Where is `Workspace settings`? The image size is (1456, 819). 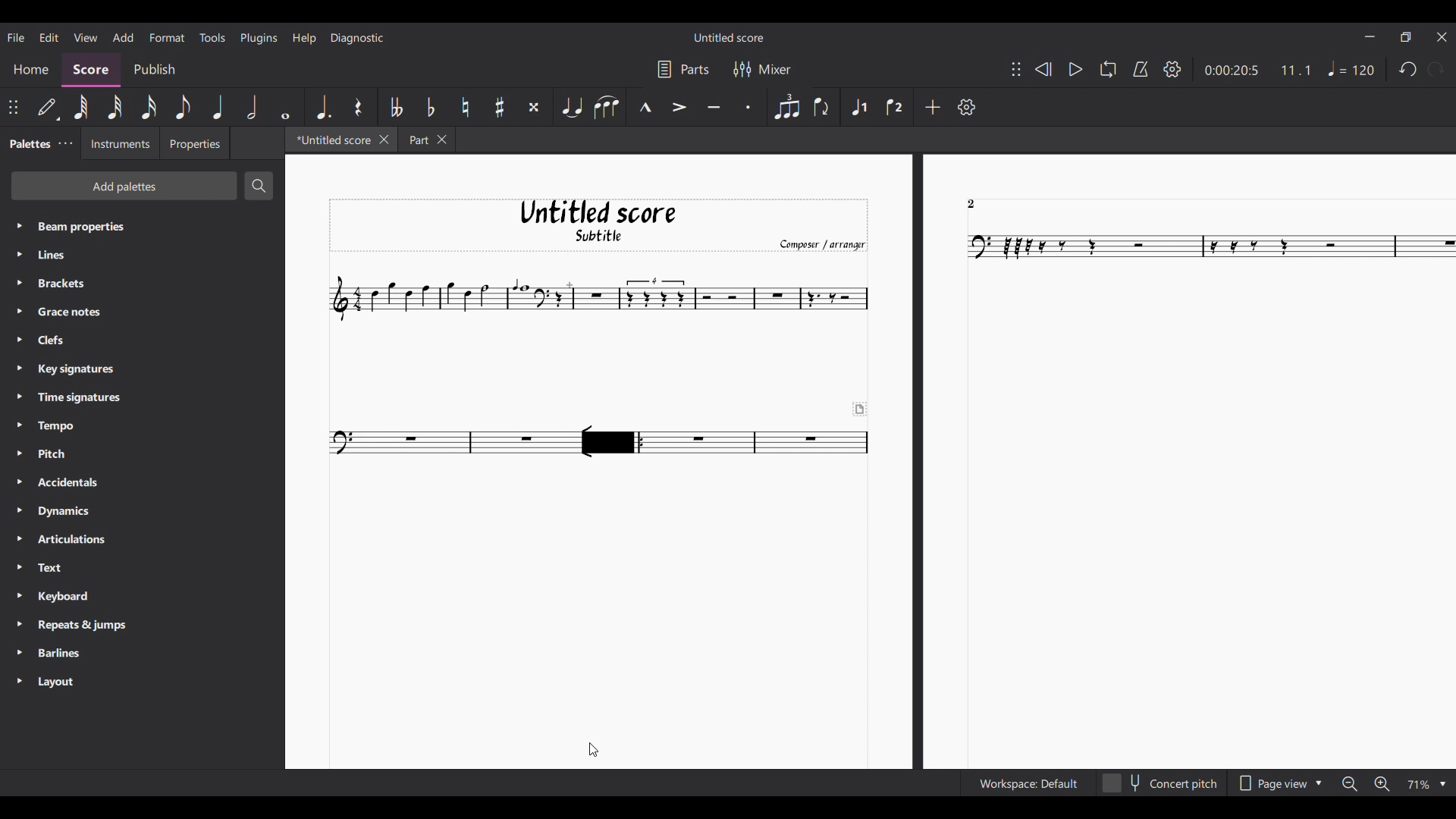 Workspace settings is located at coordinates (1028, 783).